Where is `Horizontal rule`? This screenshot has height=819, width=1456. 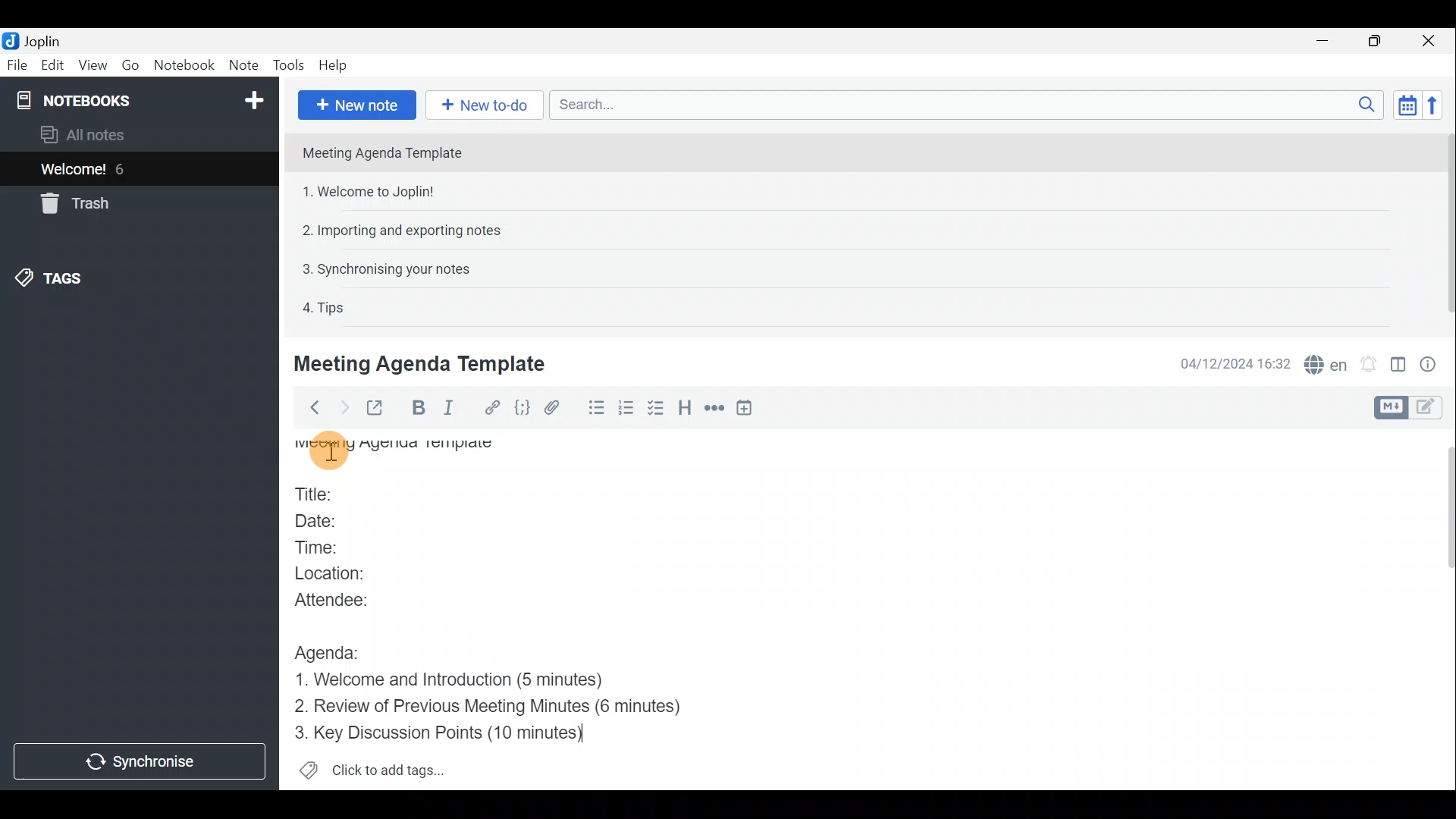 Horizontal rule is located at coordinates (716, 410).